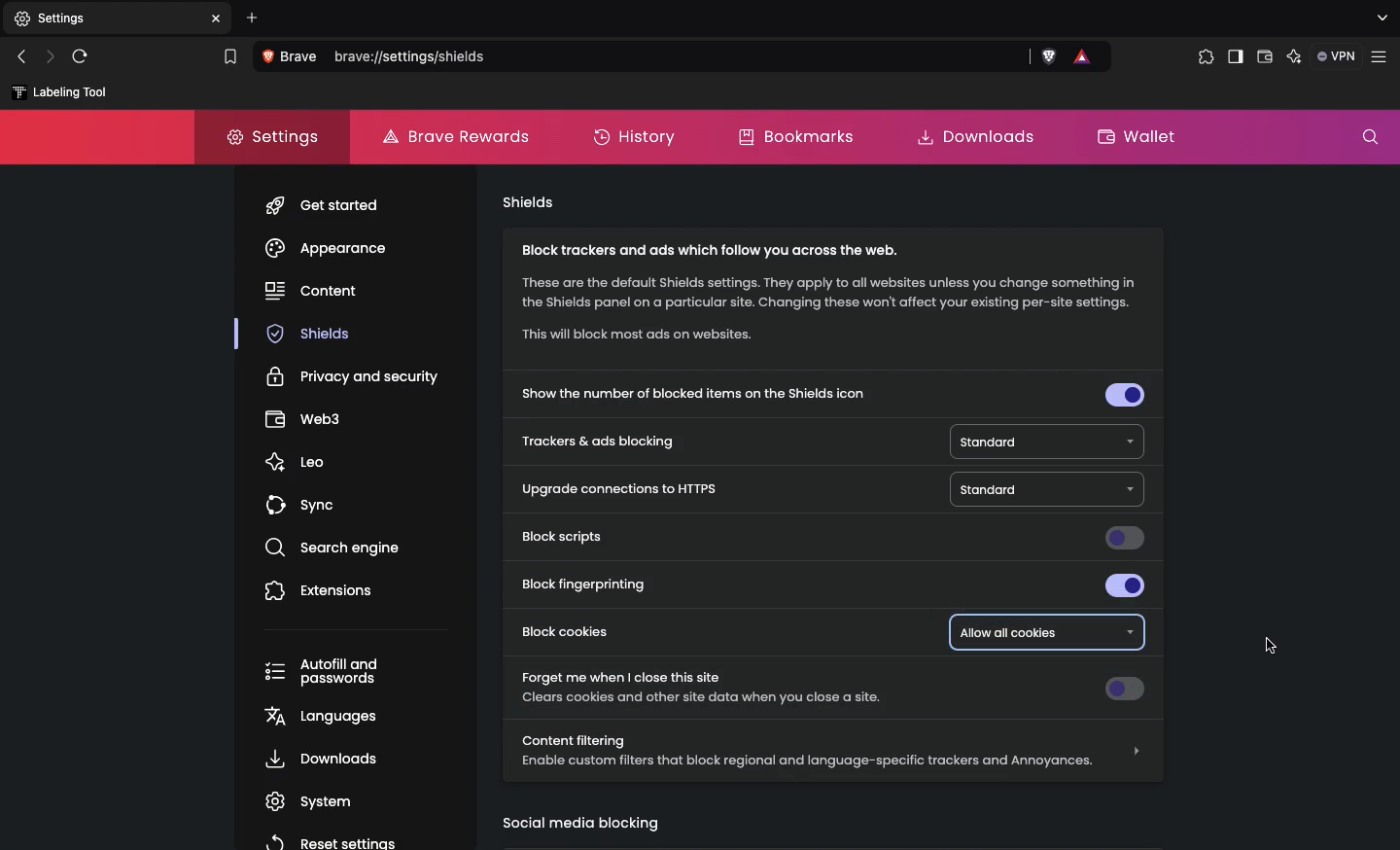  What do you see at coordinates (57, 91) in the screenshot?
I see `labelling tool` at bounding box center [57, 91].